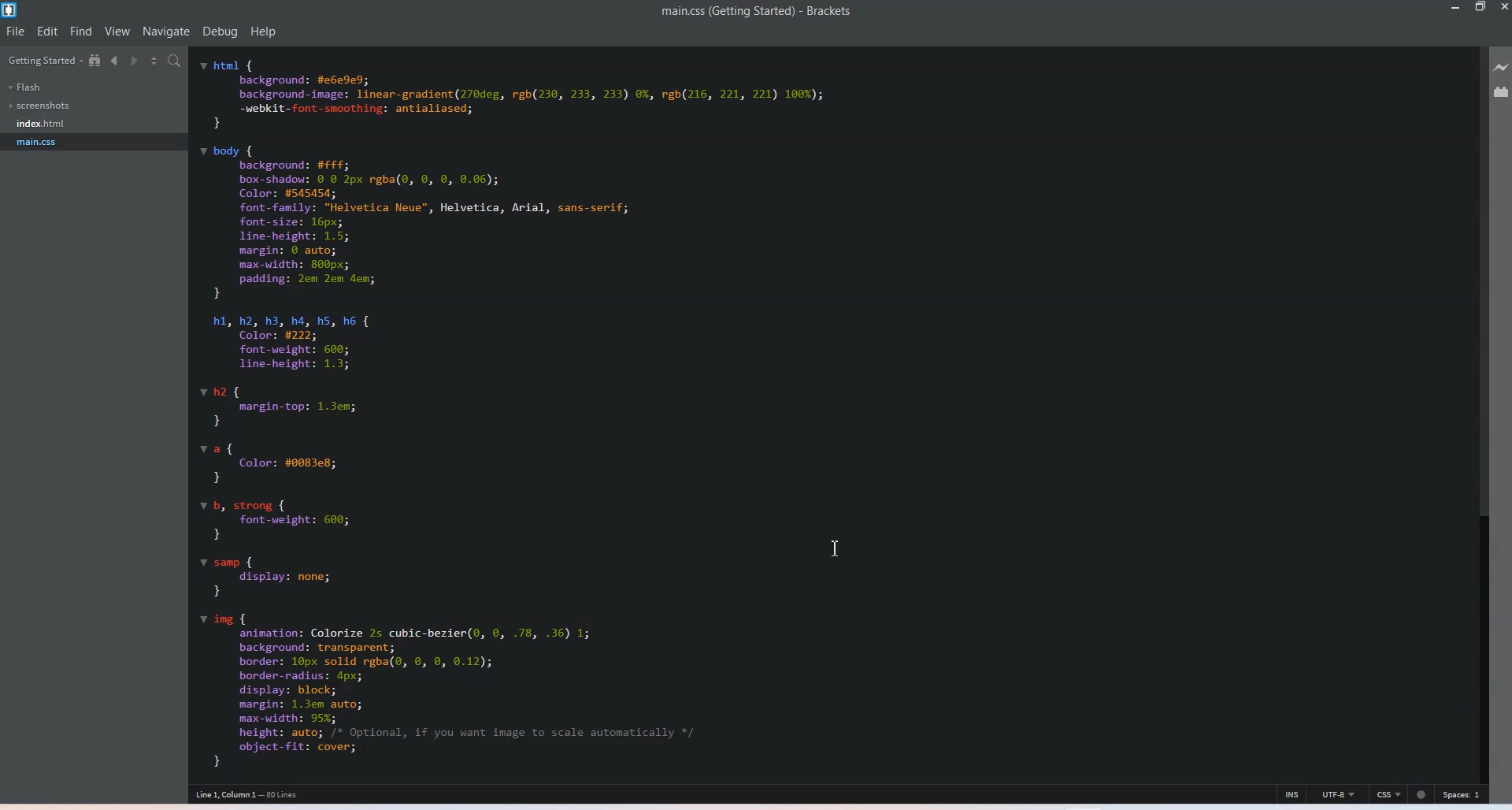 This screenshot has height=810, width=1512. Describe the element at coordinates (43, 124) in the screenshot. I see `index.html` at that location.